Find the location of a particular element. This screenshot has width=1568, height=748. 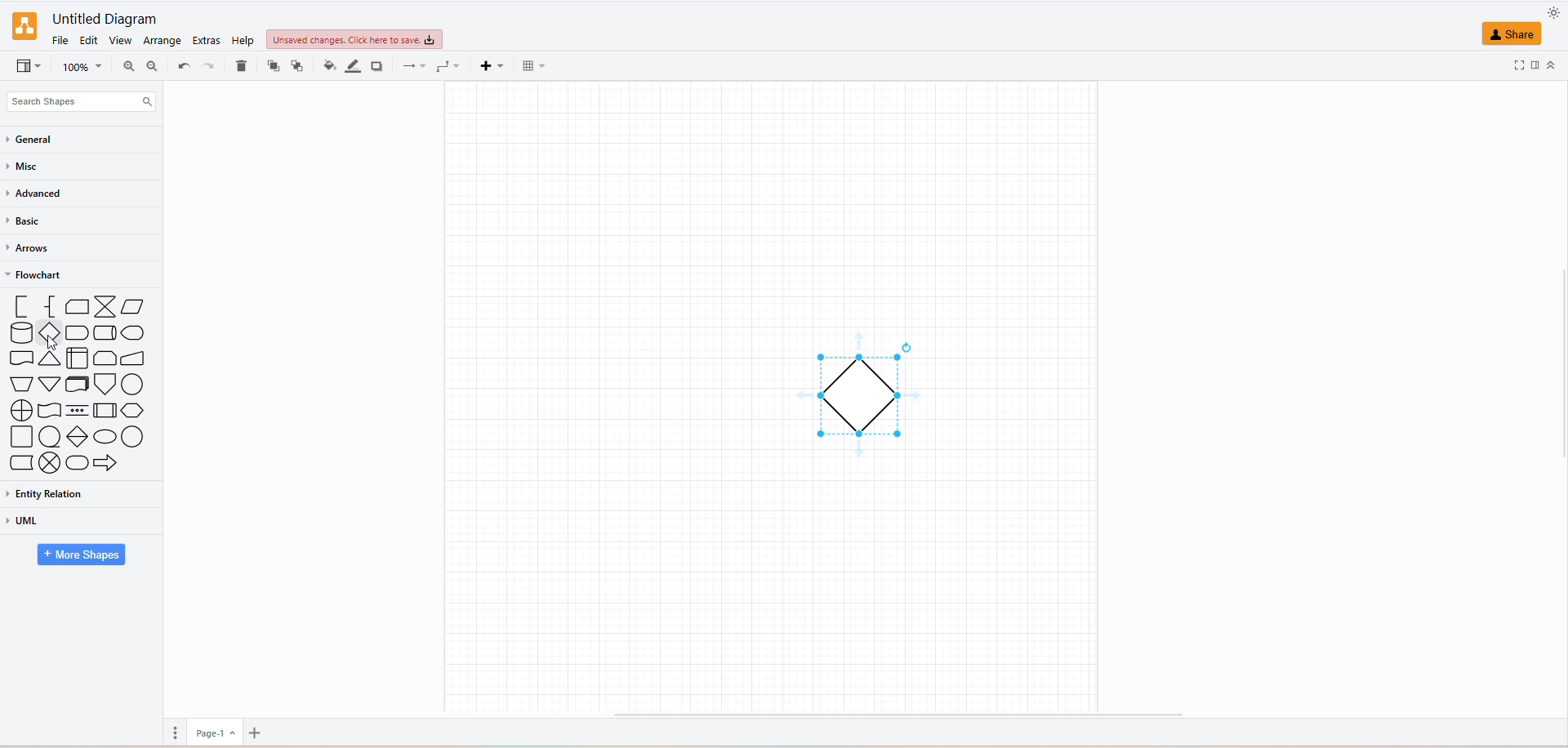

UNSAVED CHANGES is located at coordinates (355, 38).